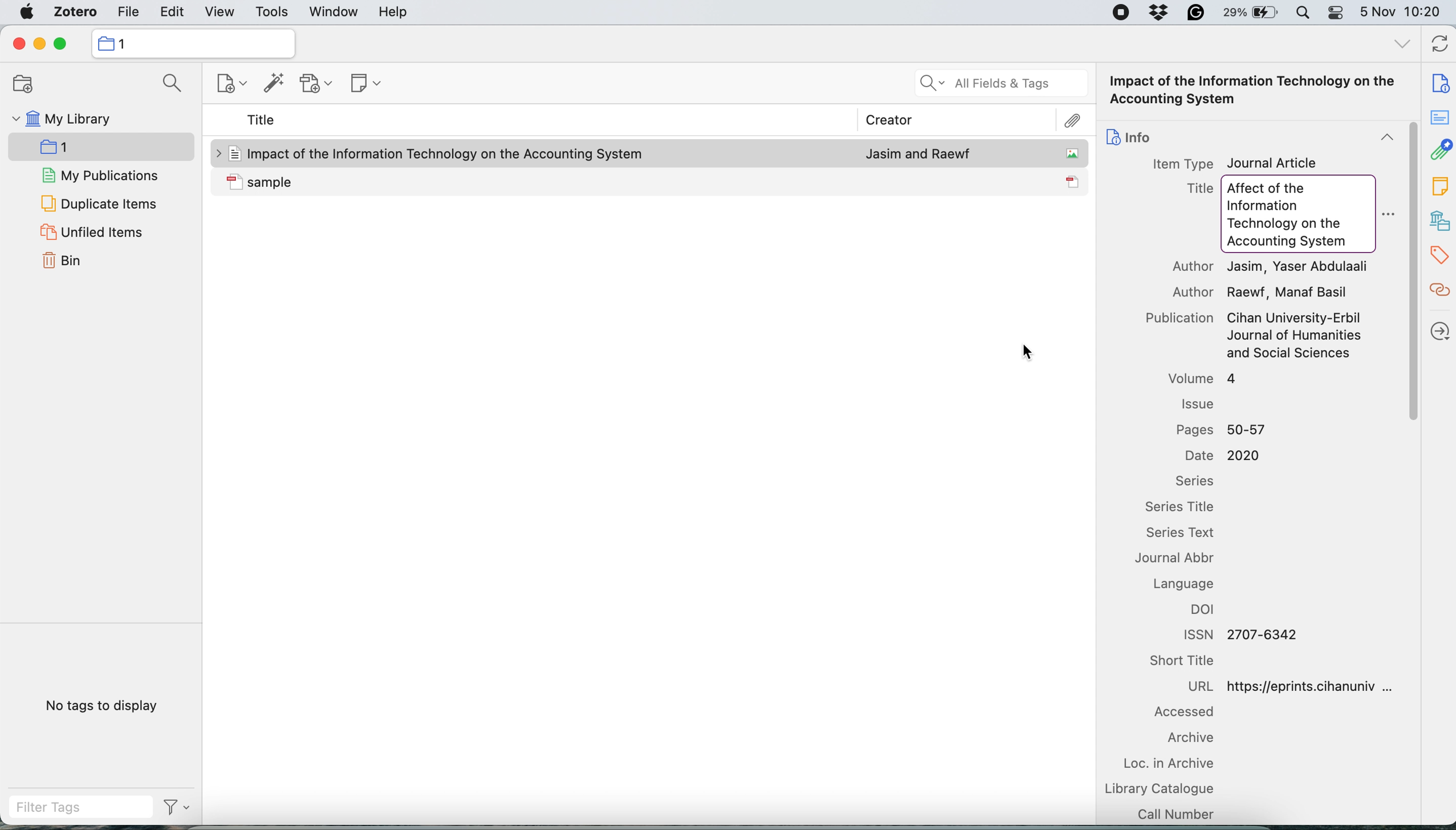  What do you see at coordinates (262, 122) in the screenshot?
I see `title` at bounding box center [262, 122].